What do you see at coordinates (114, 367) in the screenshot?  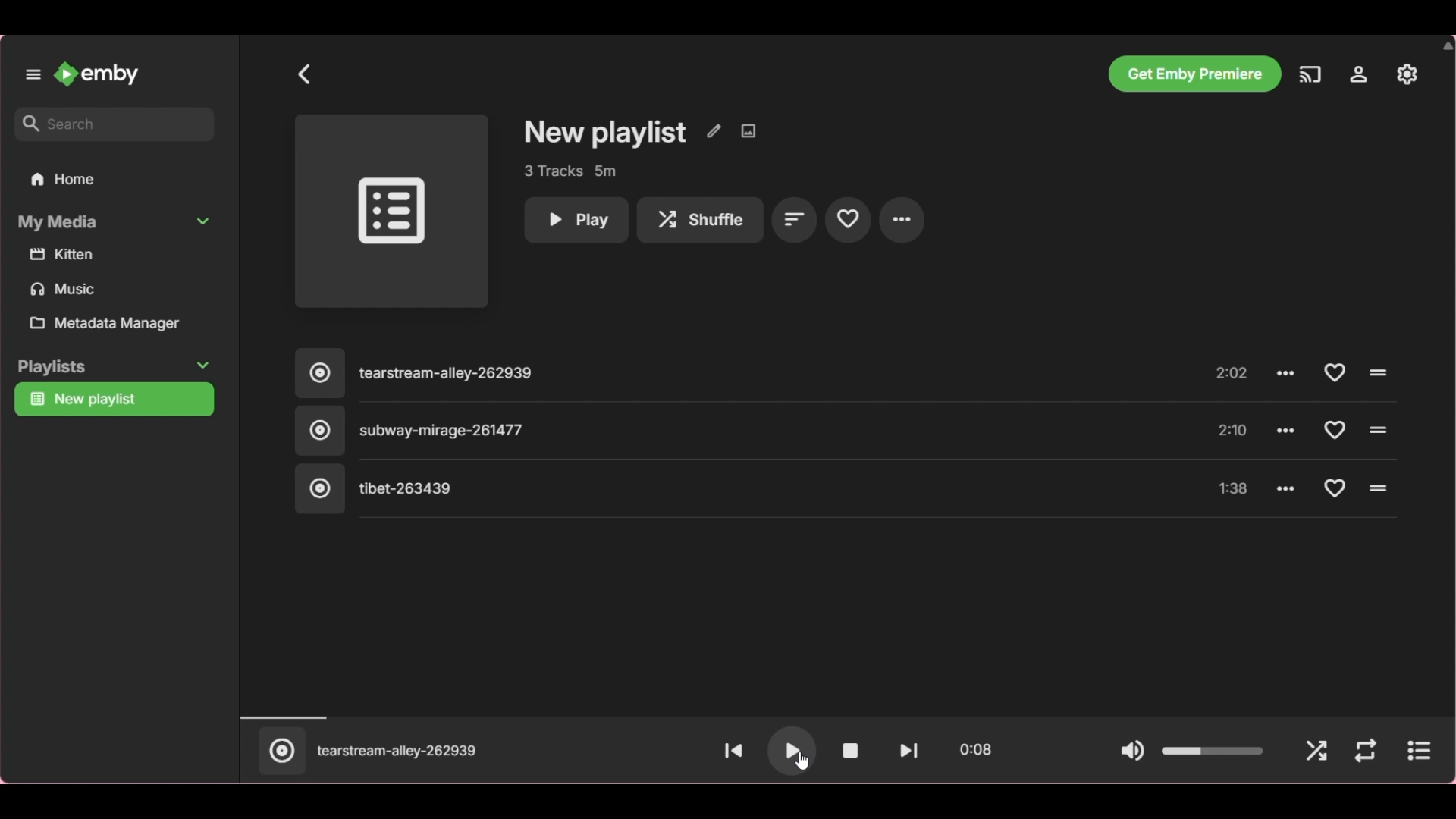 I see `Collapse Playlists` at bounding box center [114, 367].